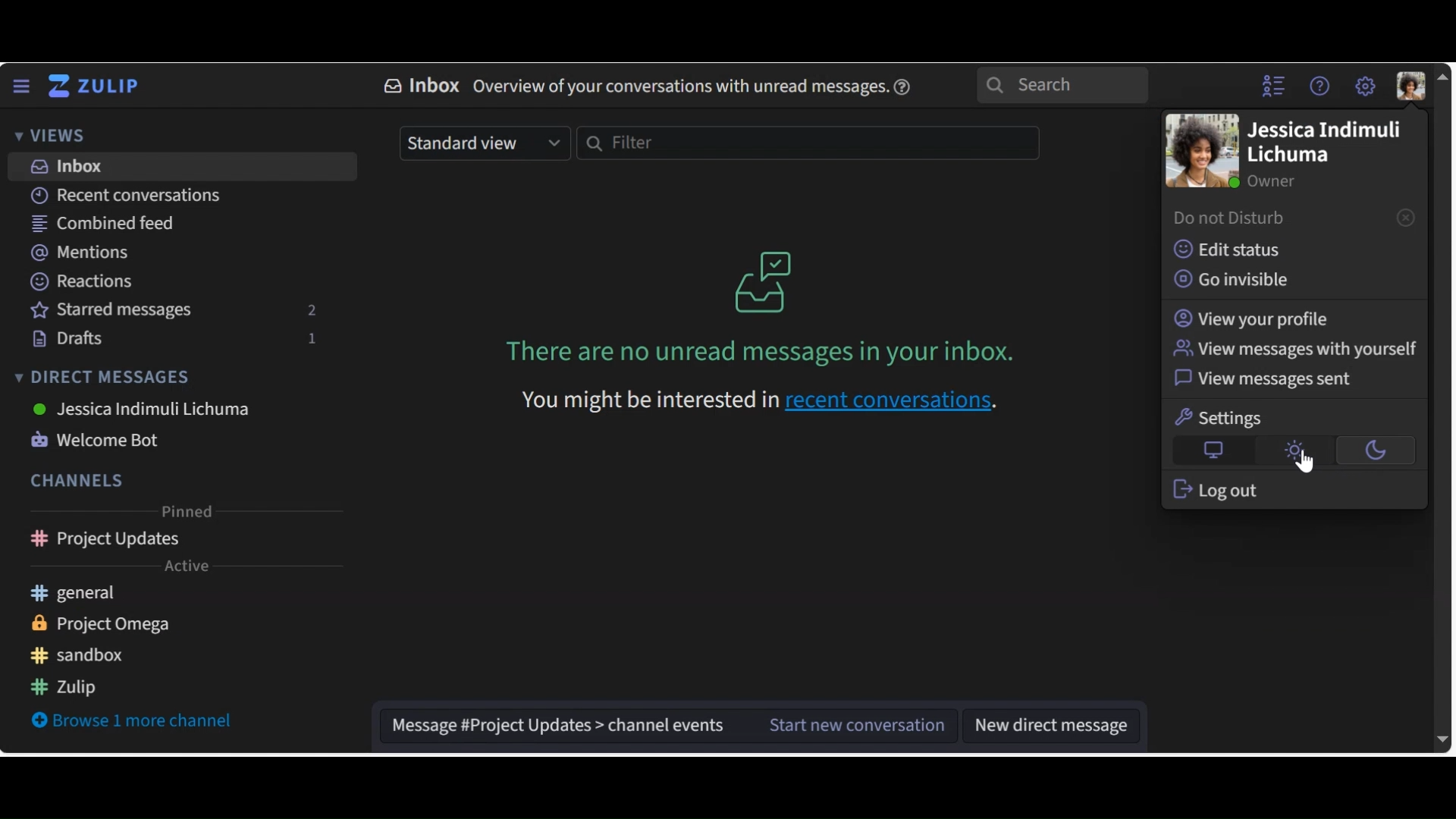 The image size is (1456, 819). I want to click on Active, so click(184, 568).